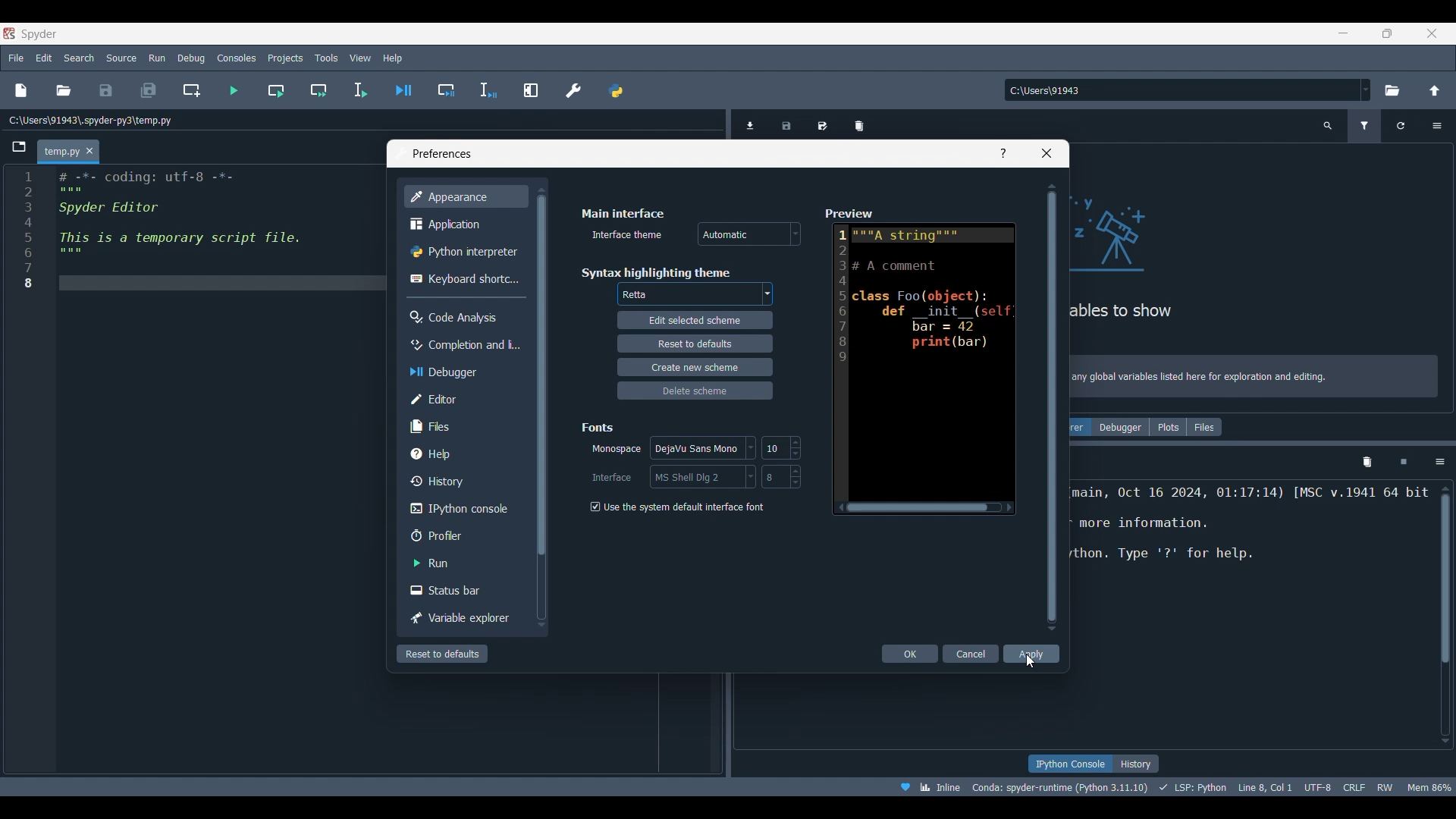 Image resolution: width=1456 pixels, height=819 pixels. Describe the element at coordinates (1061, 787) in the screenshot. I see `interpreter` at that location.